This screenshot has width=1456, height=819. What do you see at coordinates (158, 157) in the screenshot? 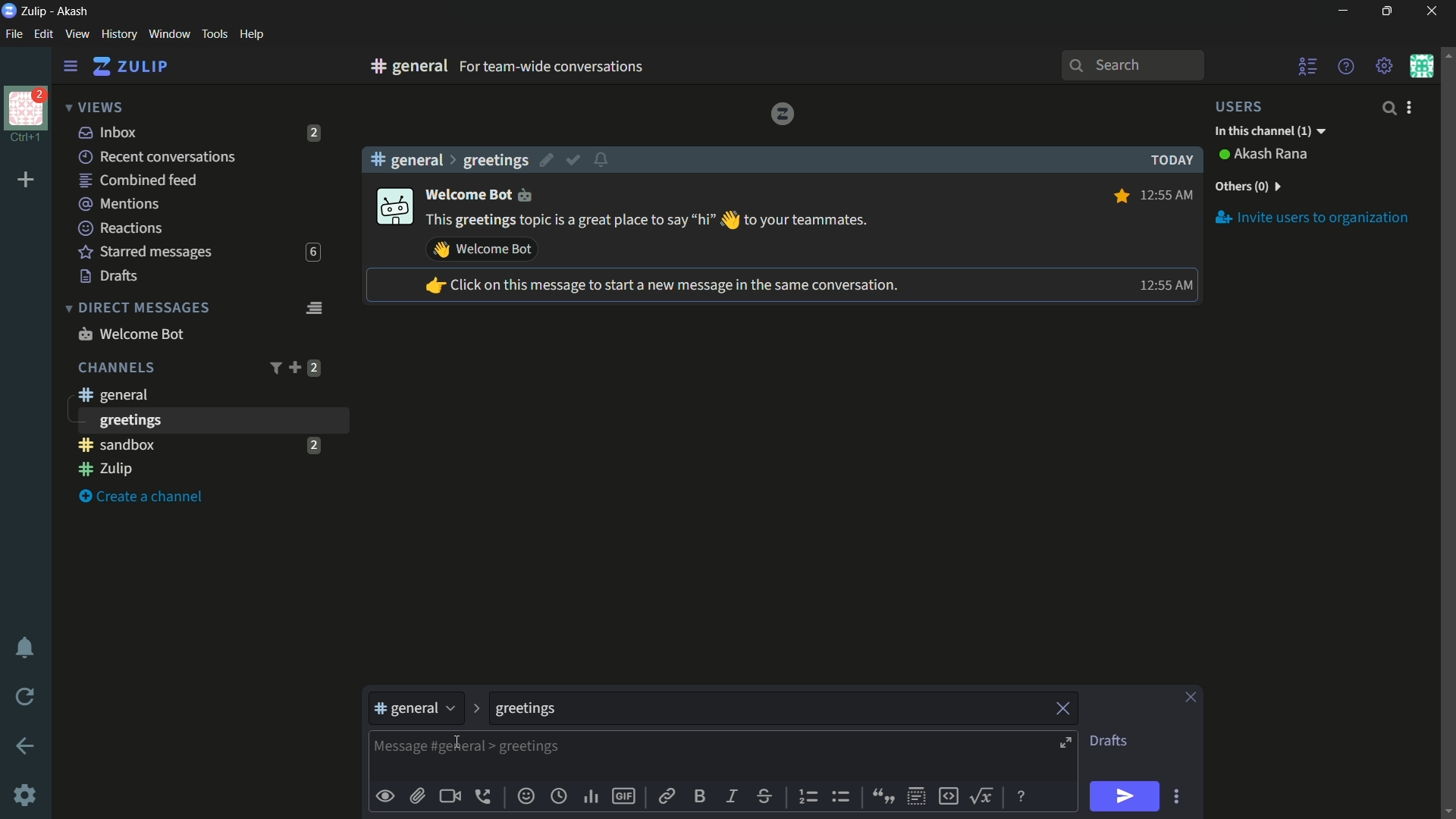
I see `recent conversation` at bounding box center [158, 157].